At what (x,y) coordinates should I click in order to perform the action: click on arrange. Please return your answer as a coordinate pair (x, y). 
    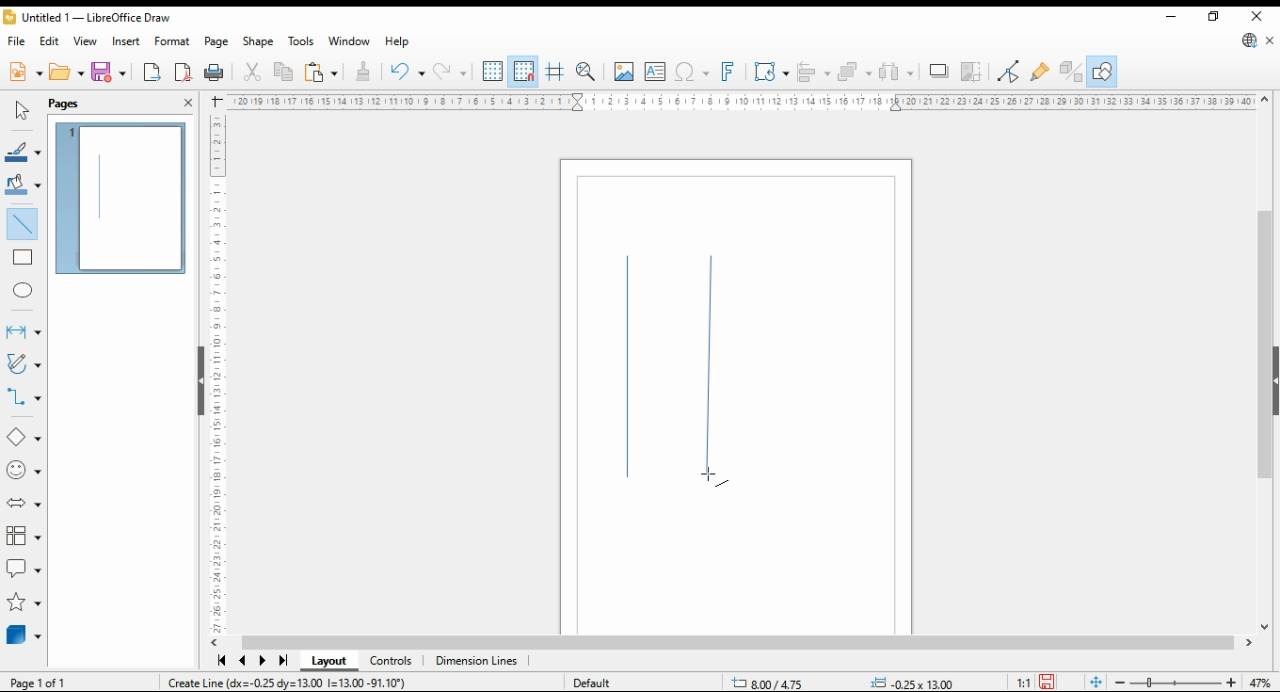
    Looking at the image, I should click on (855, 71).